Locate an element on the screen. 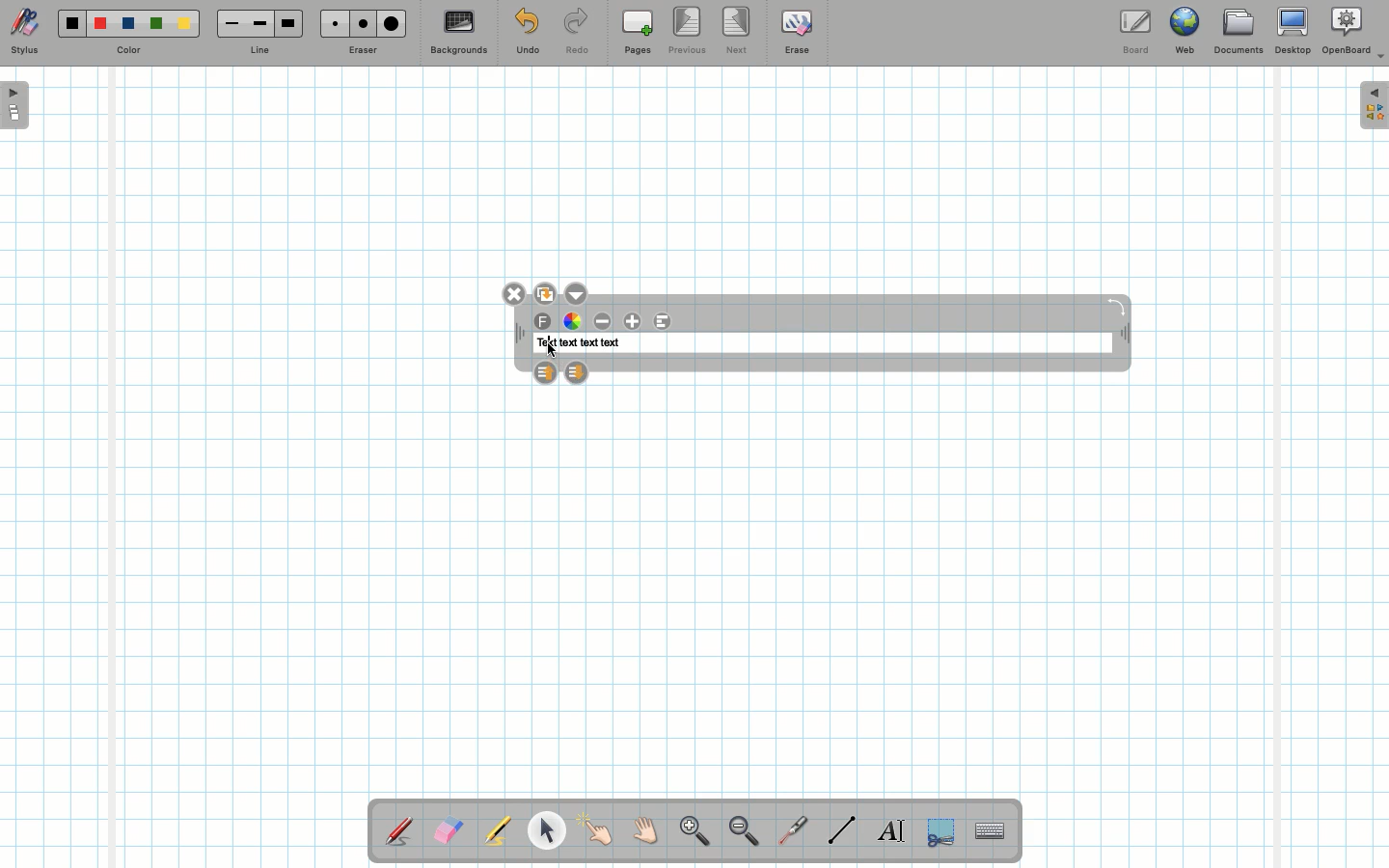  Eraser is located at coordinates (362, 52).